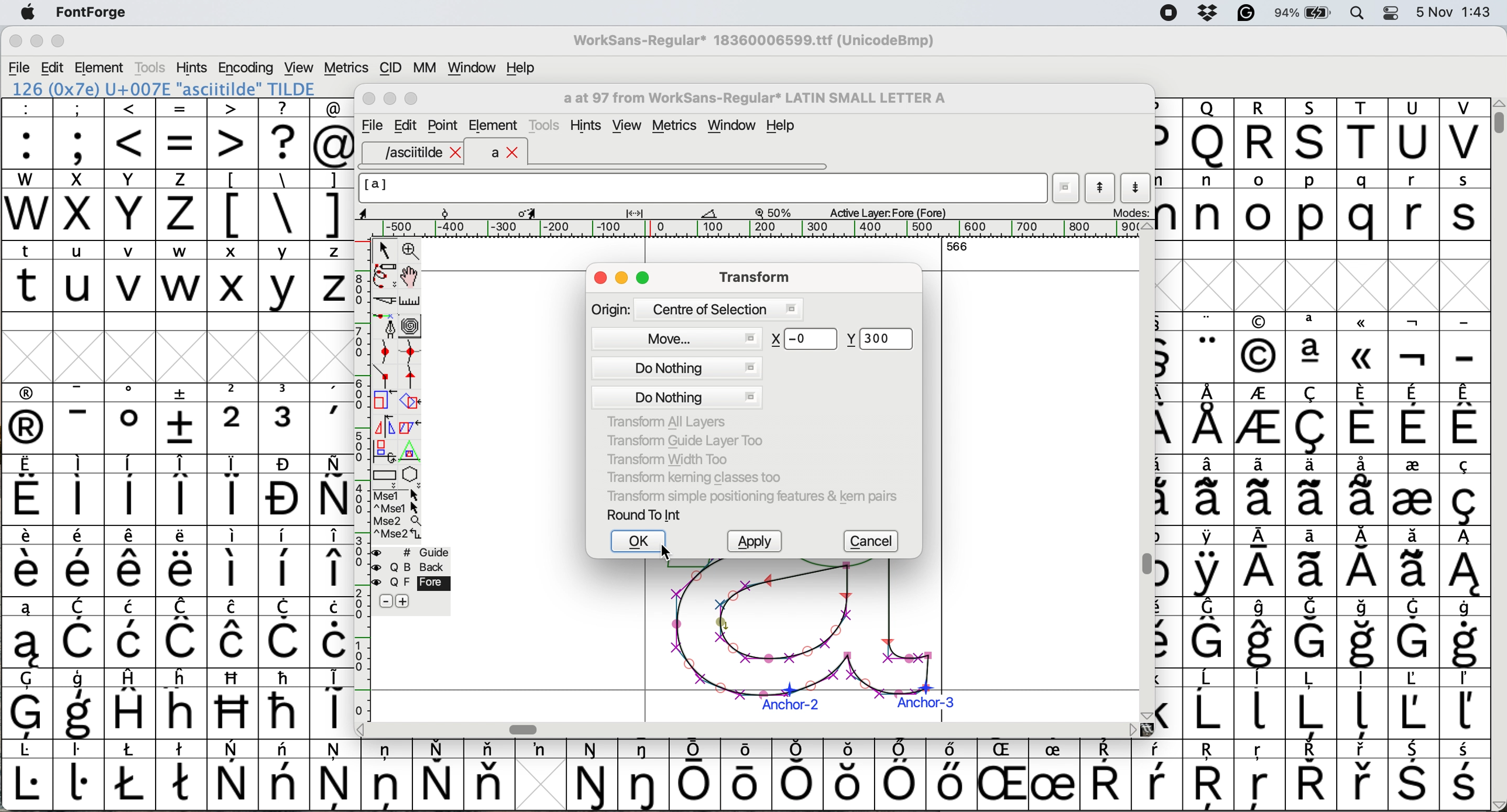 This screenshot has height=812, width=1507. What do you see at coordinates (527, 729) in the screenshot?
I see `Horizontal scroll bar` at bounding box center [527, 729].